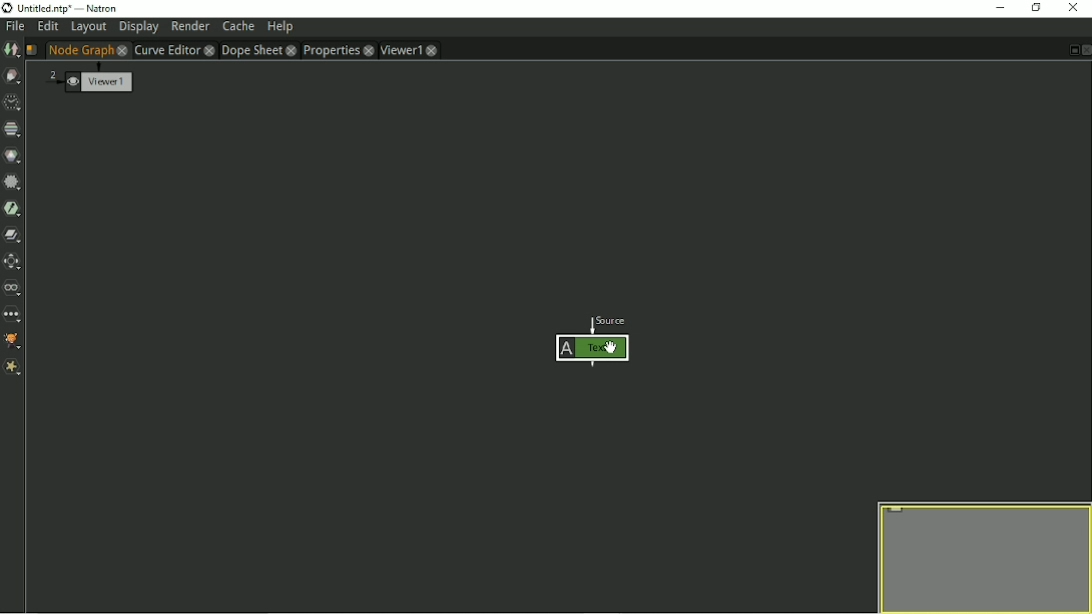 The width and height of the screenshot is (1092, 614). I want to click on Close, so click(1074, 8).